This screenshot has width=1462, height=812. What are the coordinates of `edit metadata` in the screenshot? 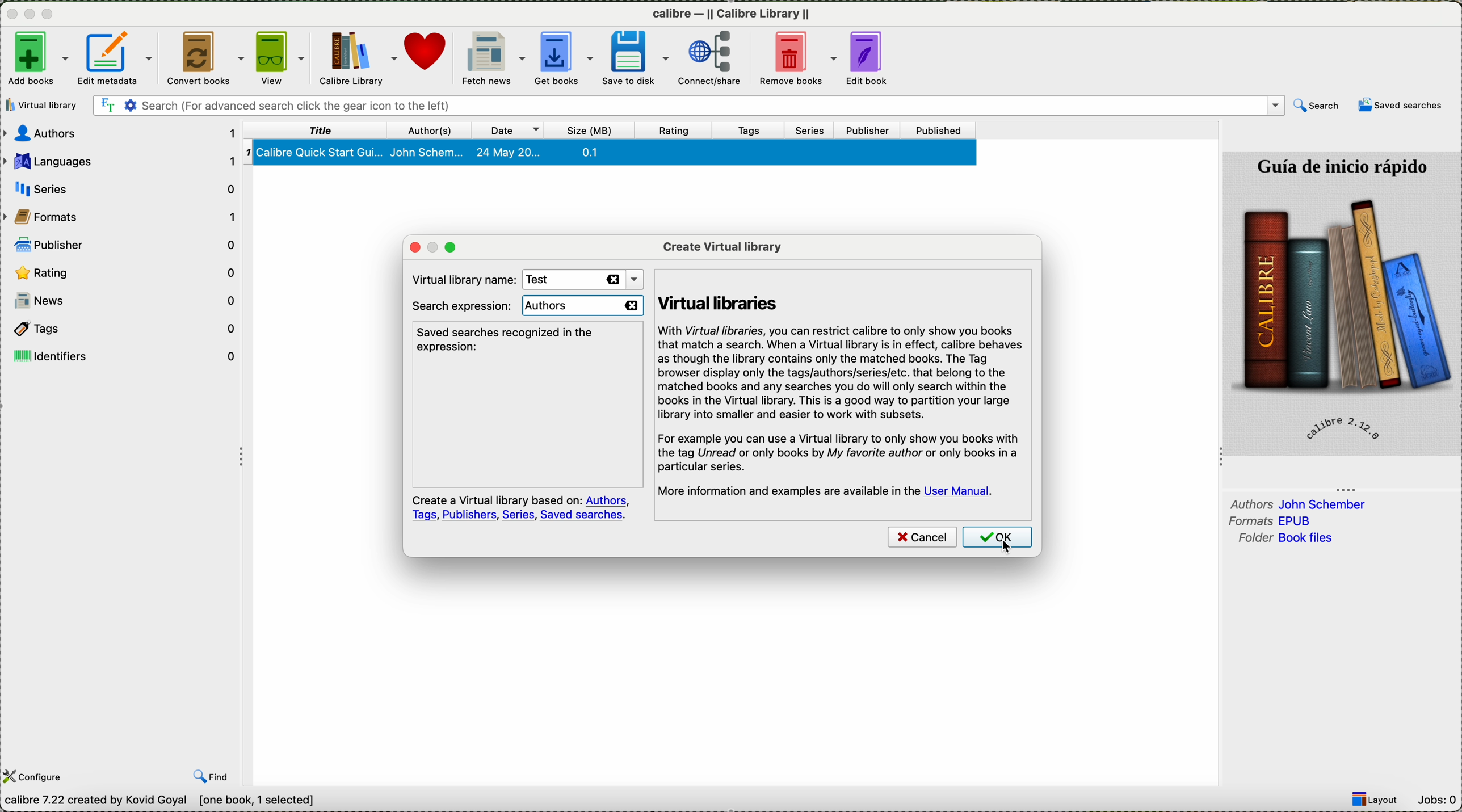 It's located at (117, 58).